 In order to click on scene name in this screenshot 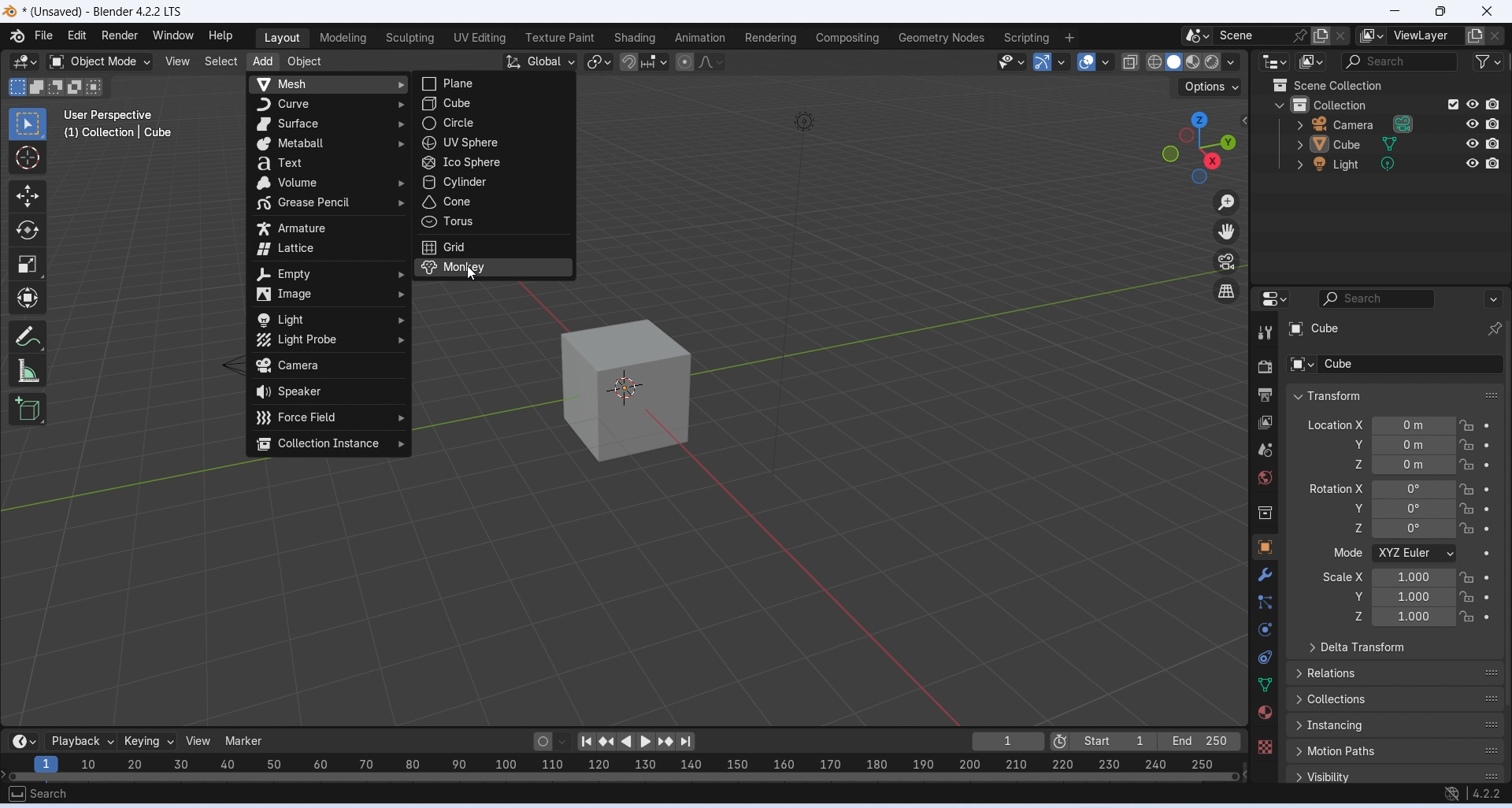, I will do `click(1253, 35)`.